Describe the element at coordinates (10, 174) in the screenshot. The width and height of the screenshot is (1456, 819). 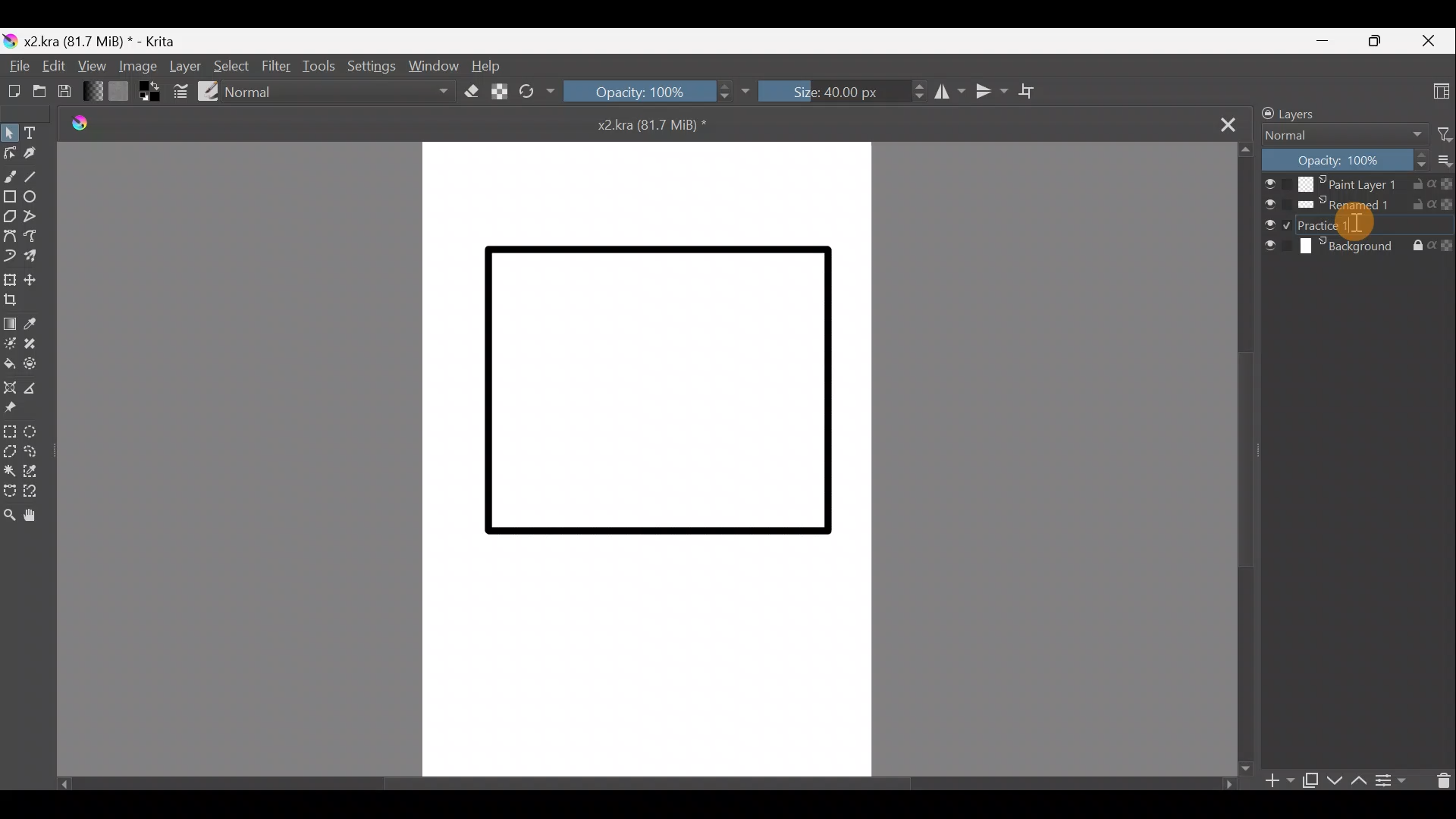
I see `Freehand brush tool` at that location.